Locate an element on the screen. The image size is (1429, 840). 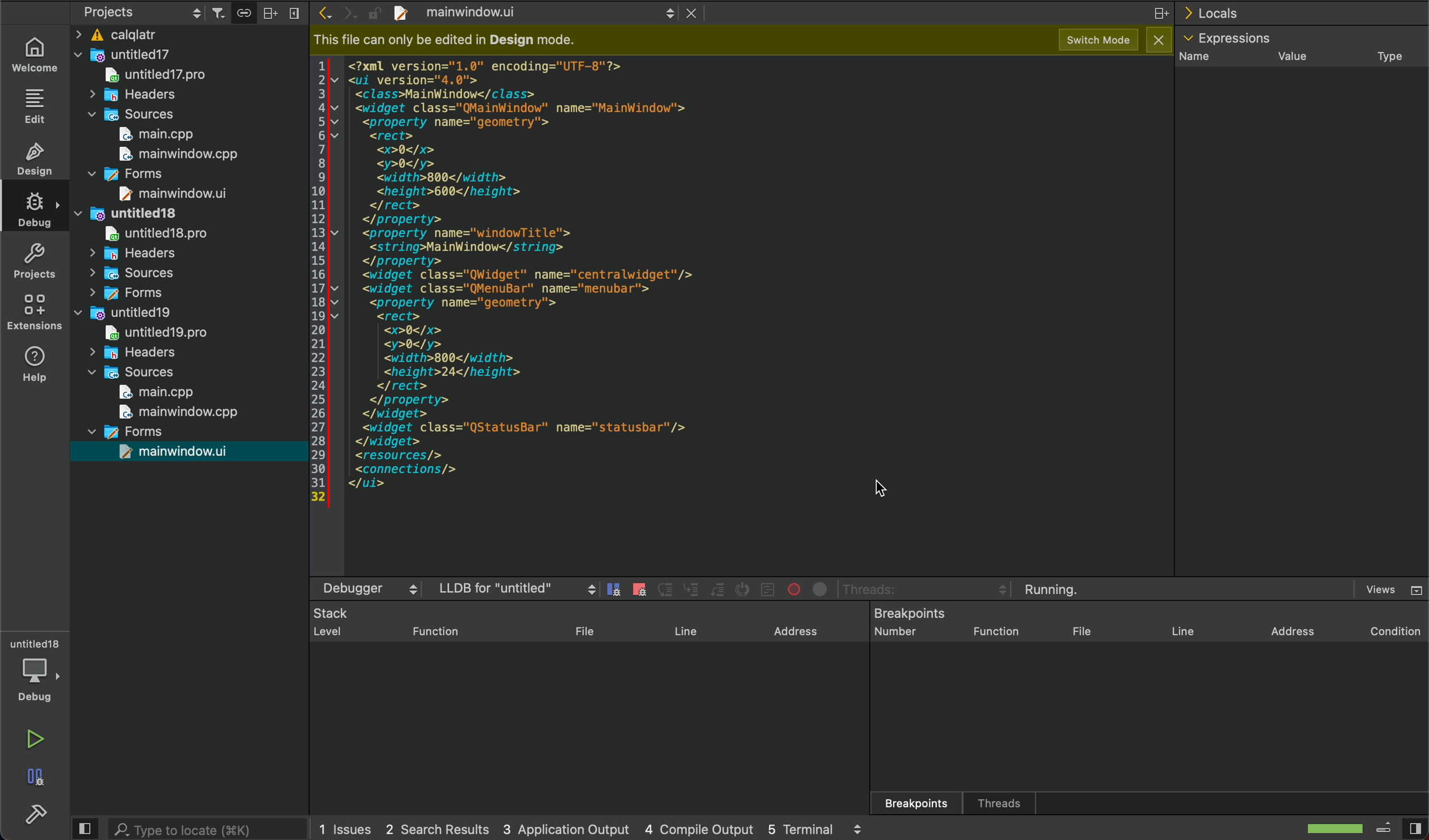
Function is located at coordinates (430, 628).